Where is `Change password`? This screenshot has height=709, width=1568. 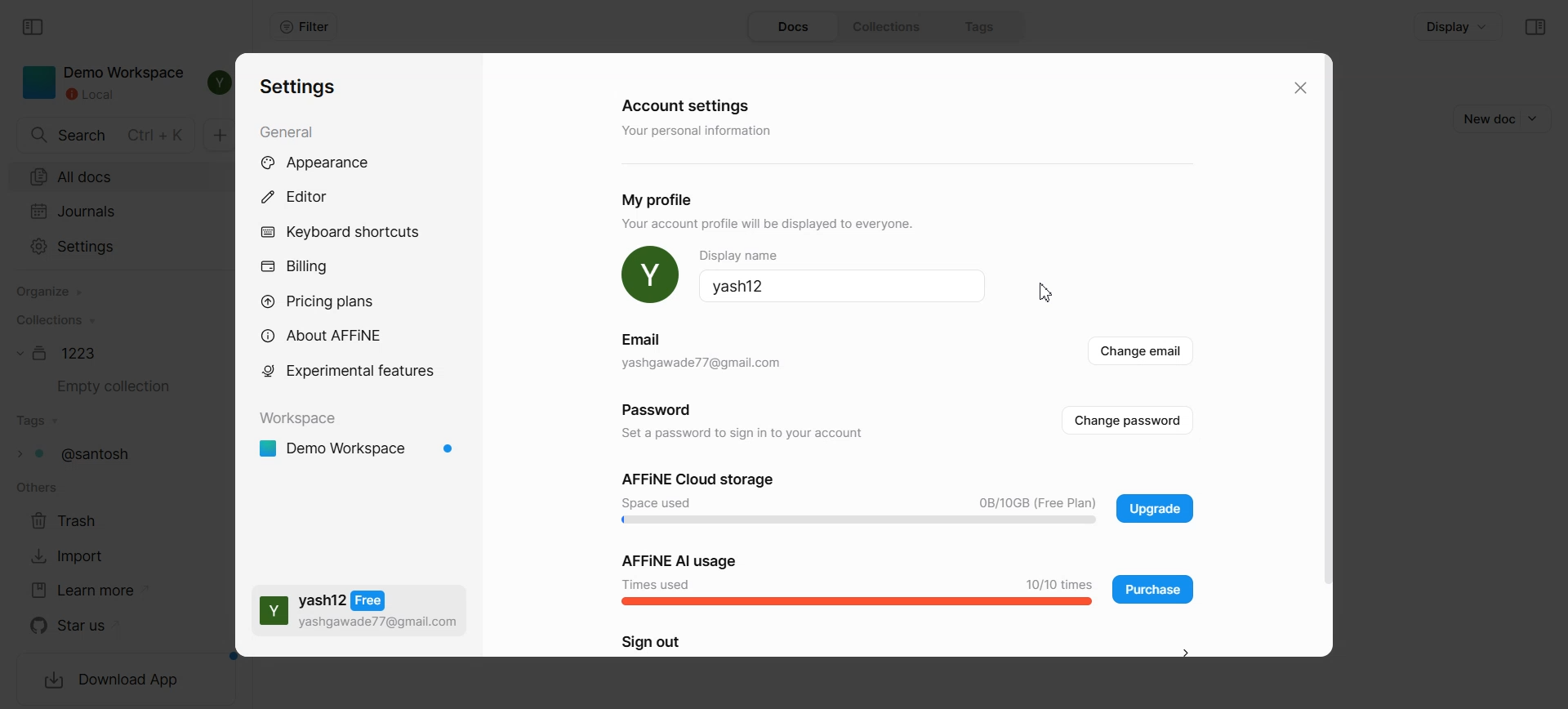 Change password is located at coordinates (1133, 422).